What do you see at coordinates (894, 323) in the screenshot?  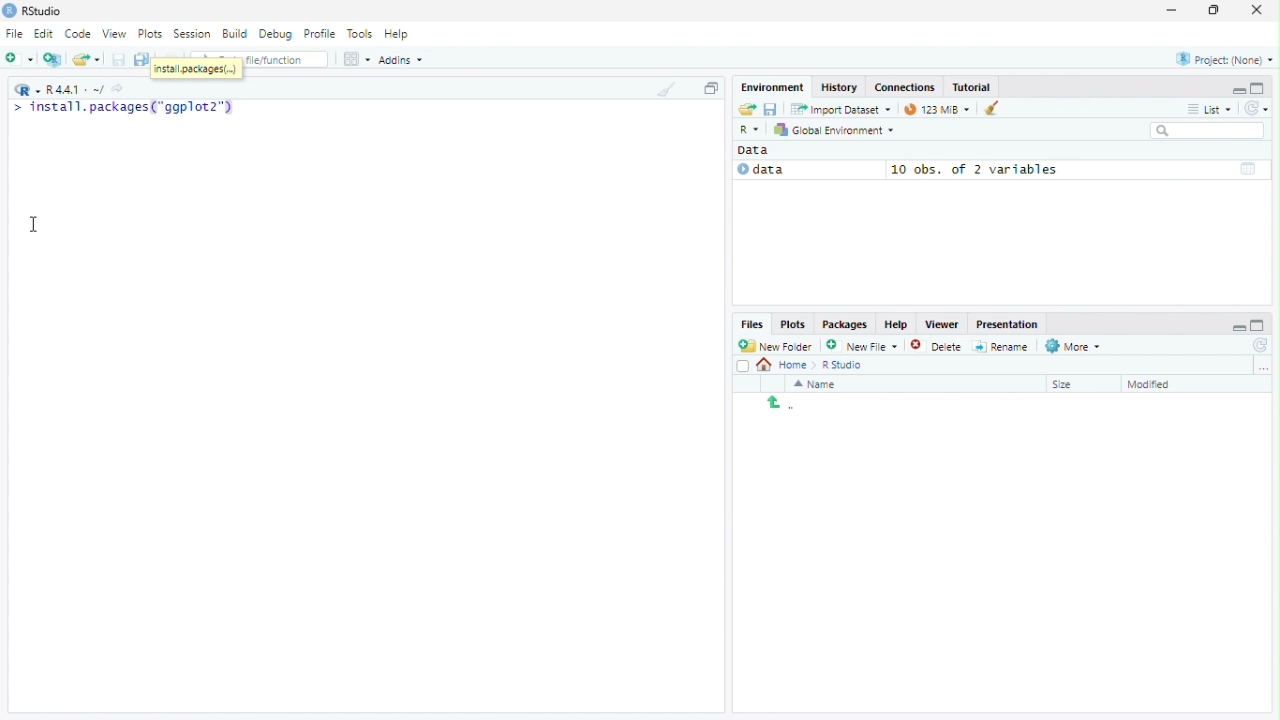 I see `help` at bounding box center [894, 323].